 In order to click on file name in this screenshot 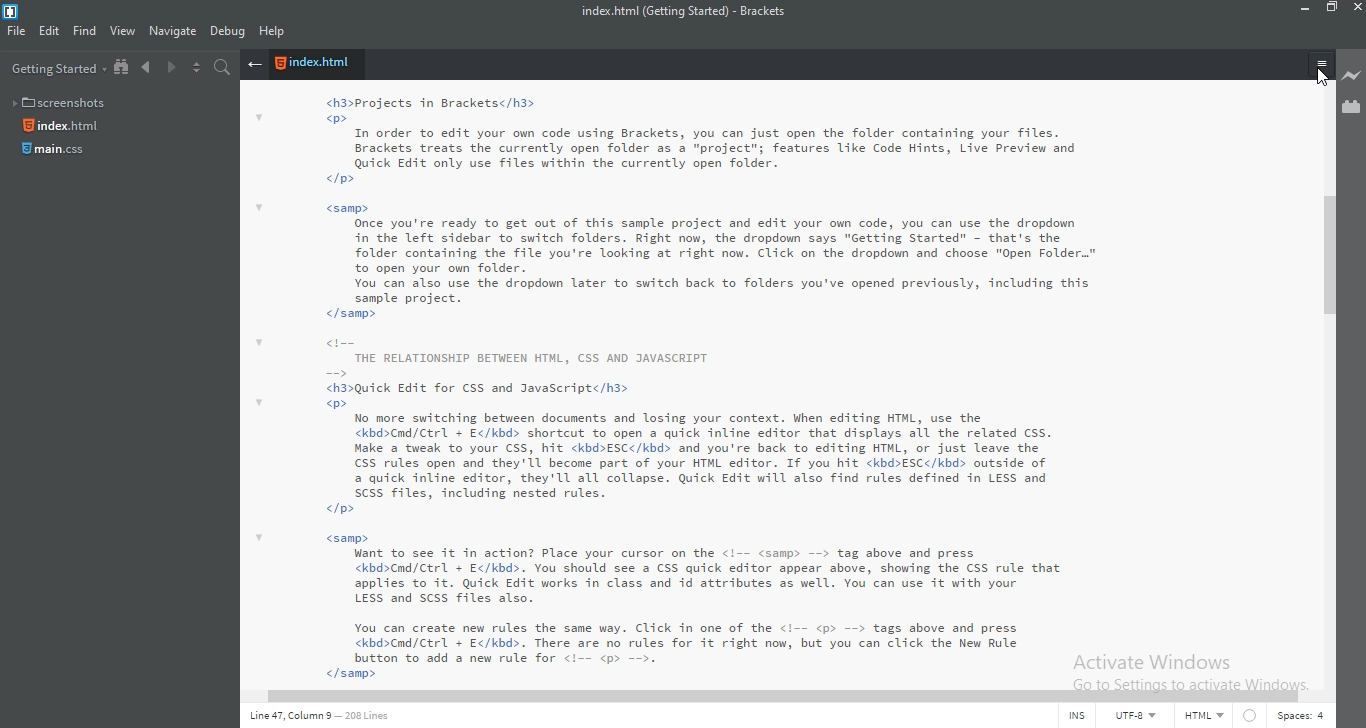, I will do `click(691, 12)`.